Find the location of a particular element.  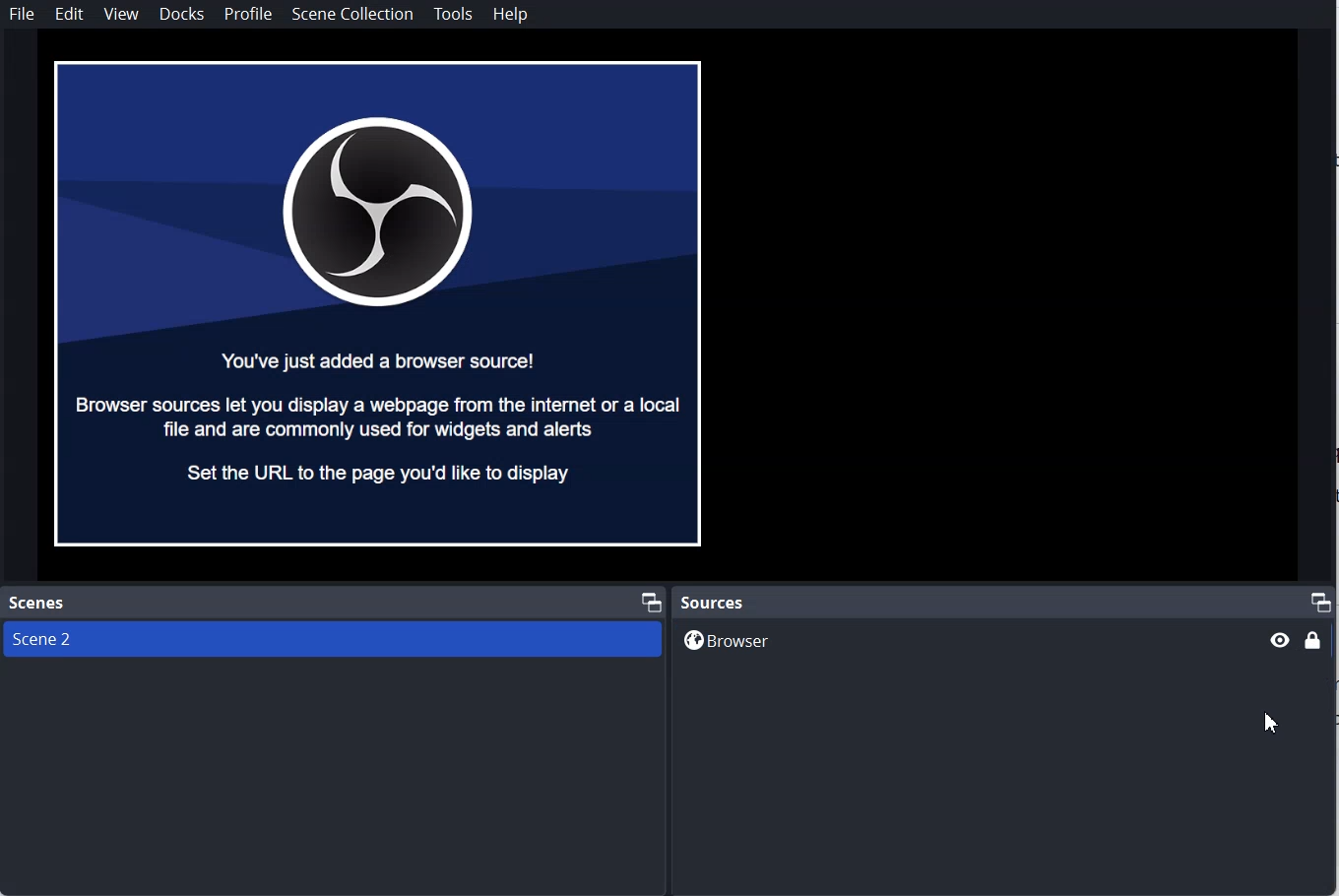

Scene is located at coordinates (42, 603).